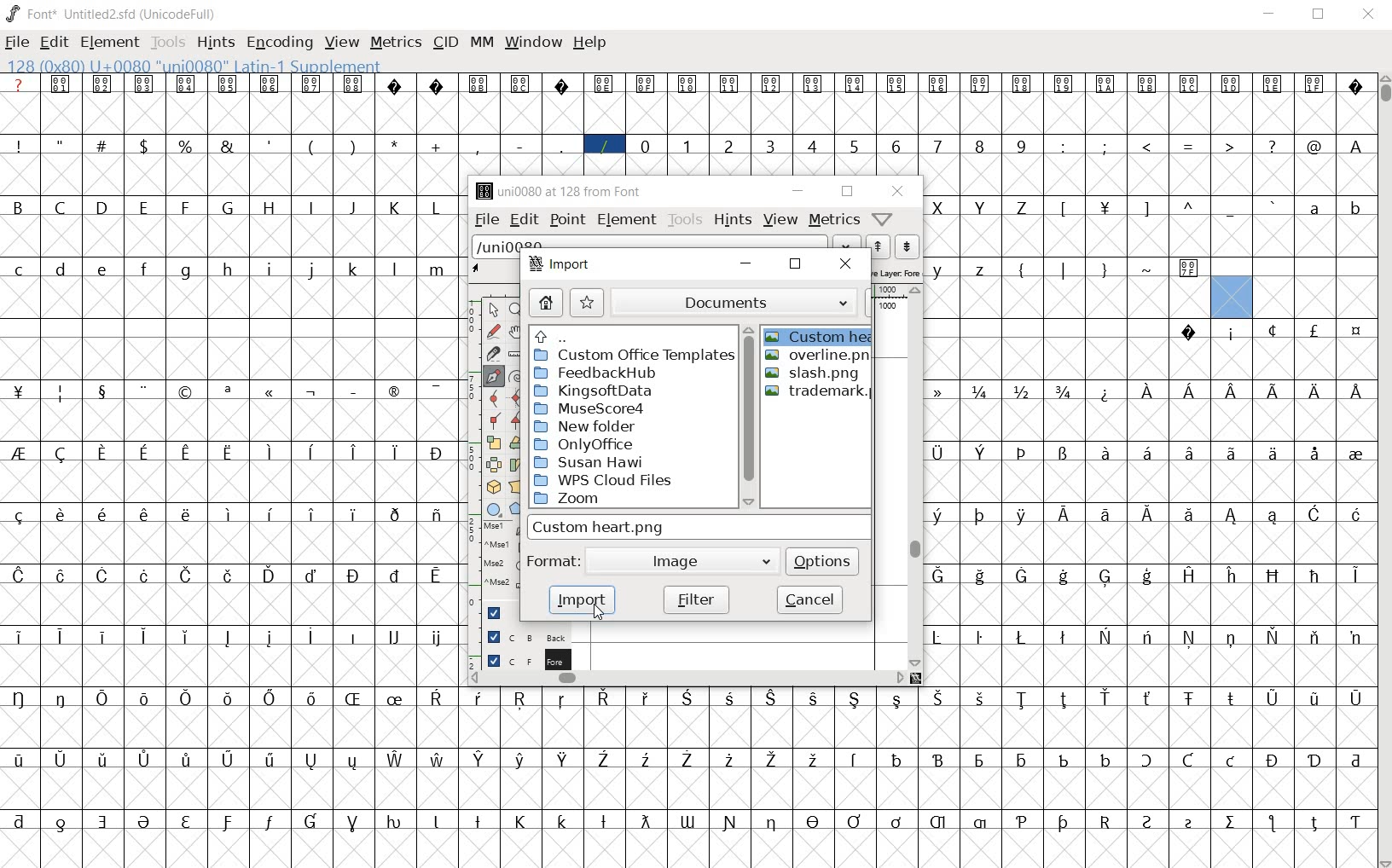 Image resolution: width=1392 pixels, height=868 pixels. Describe the element at coordinates (1356, 89) in the screenshot. I see `glyph` at that location.